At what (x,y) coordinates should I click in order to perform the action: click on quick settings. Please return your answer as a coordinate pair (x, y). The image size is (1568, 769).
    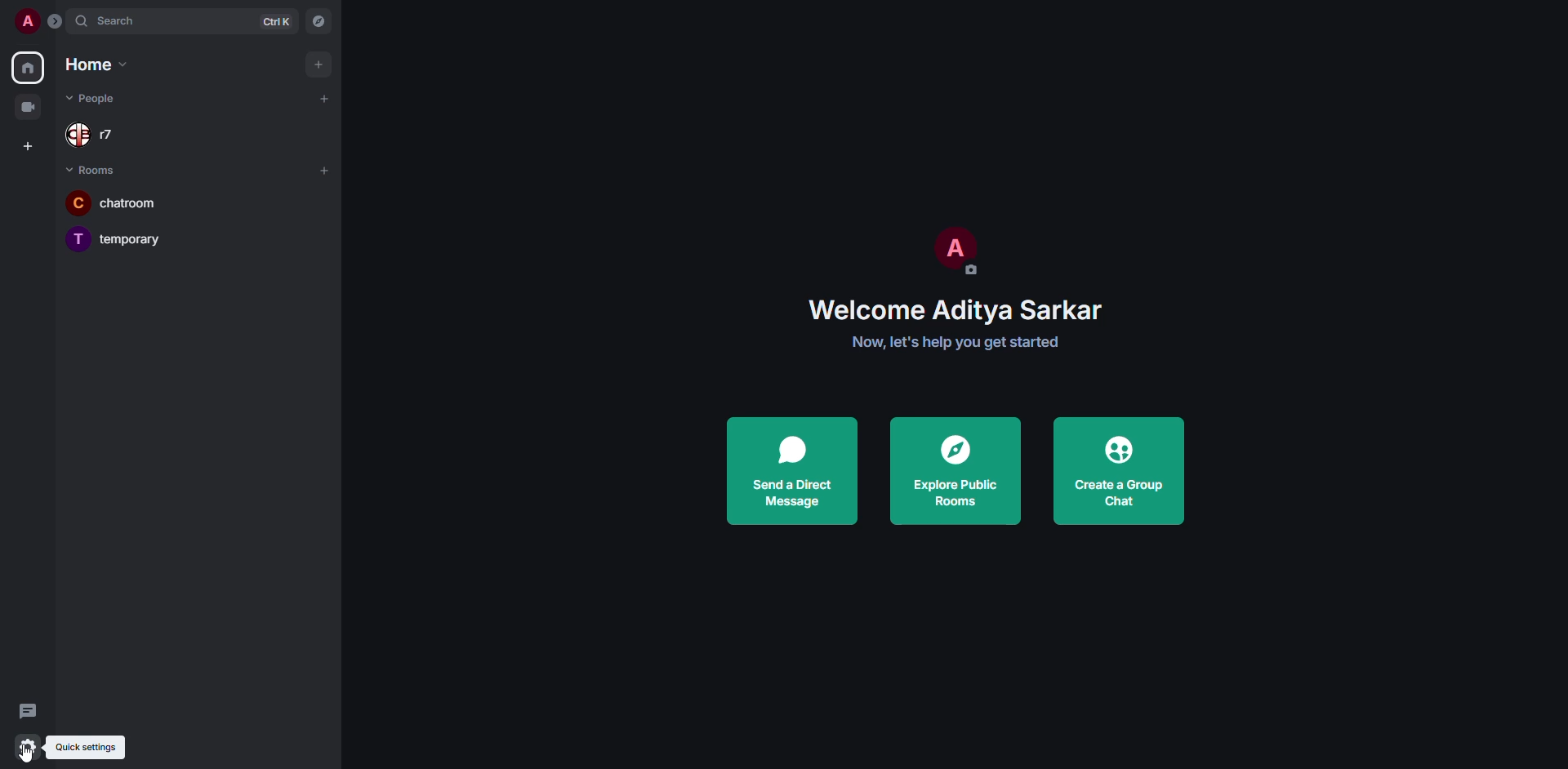
    Looking at the image, I should click on (87, 746).